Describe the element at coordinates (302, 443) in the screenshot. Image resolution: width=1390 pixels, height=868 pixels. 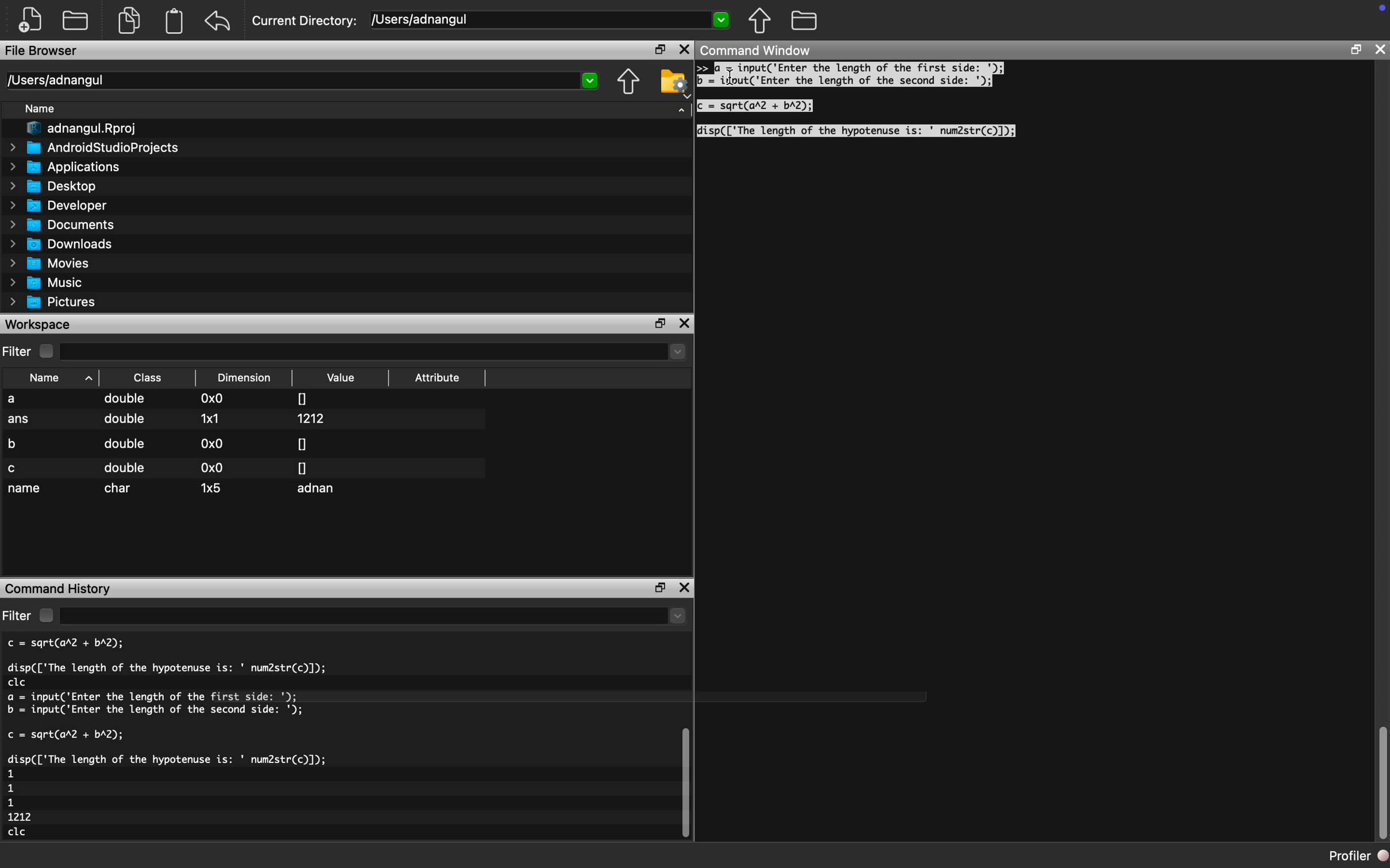
I see `0` at that location.